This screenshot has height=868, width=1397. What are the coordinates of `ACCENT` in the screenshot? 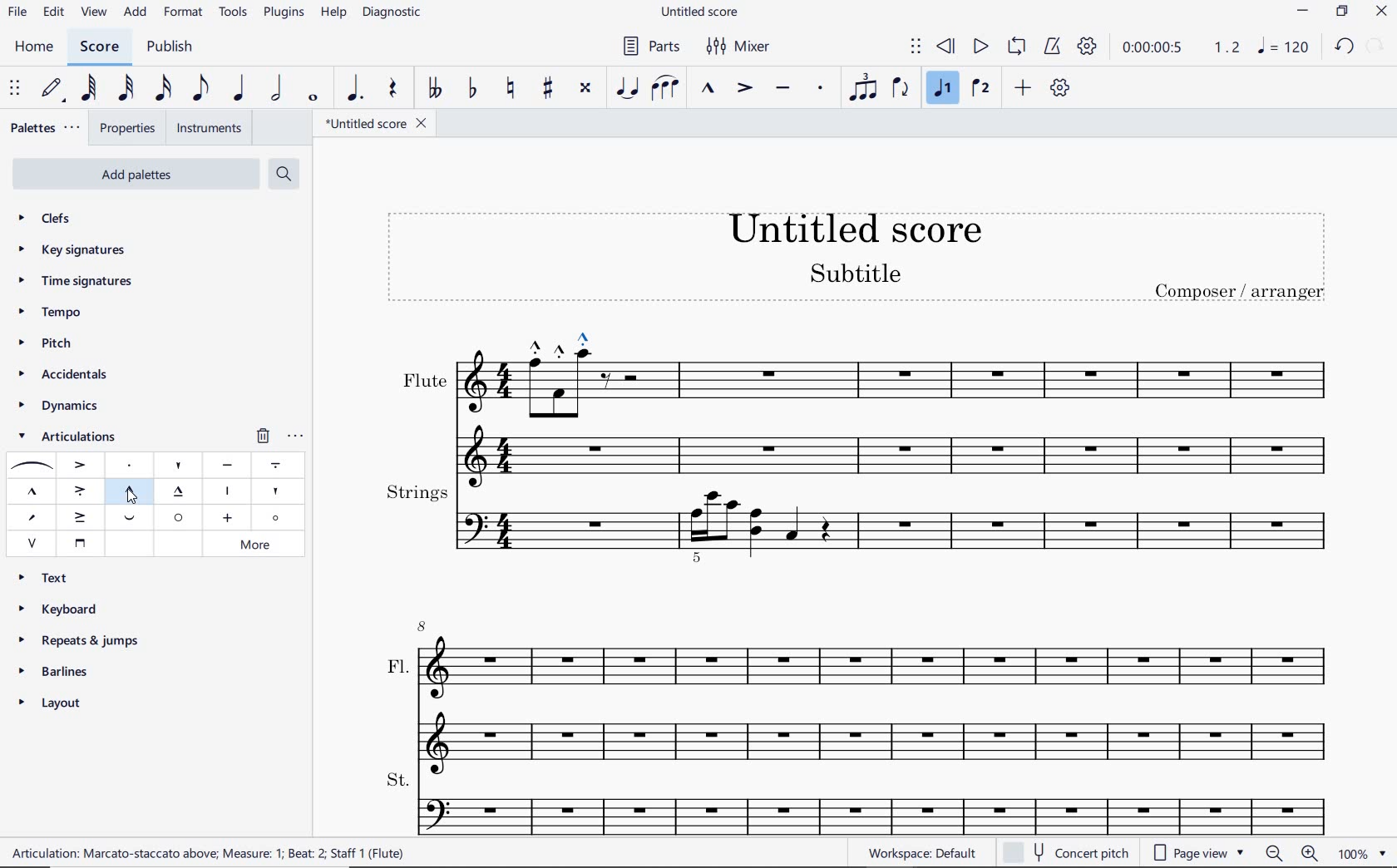 It's located at (744, 89).